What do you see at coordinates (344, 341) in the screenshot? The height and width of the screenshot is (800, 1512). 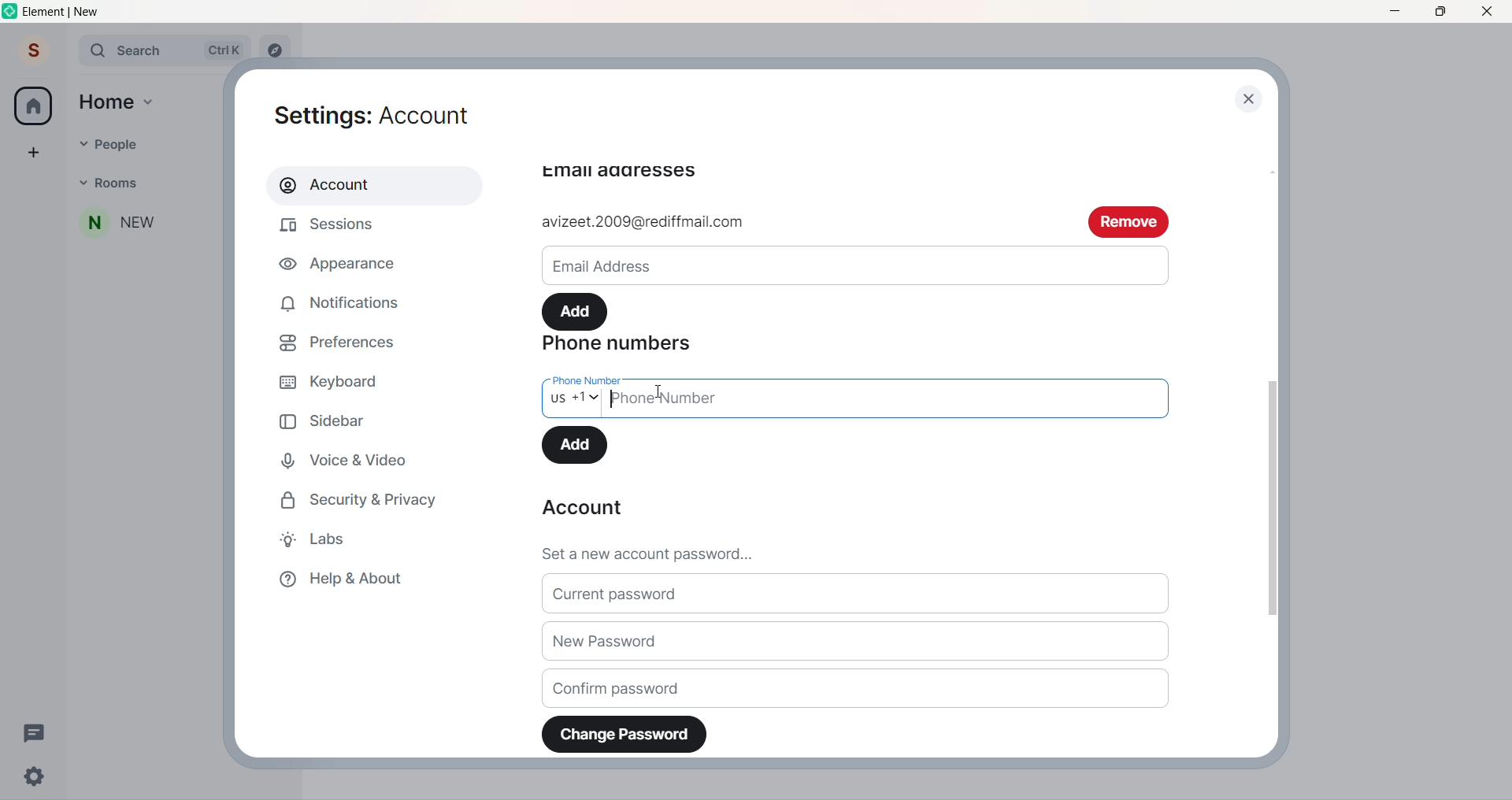 I see `Preferences` at bounding box center [344, 341].